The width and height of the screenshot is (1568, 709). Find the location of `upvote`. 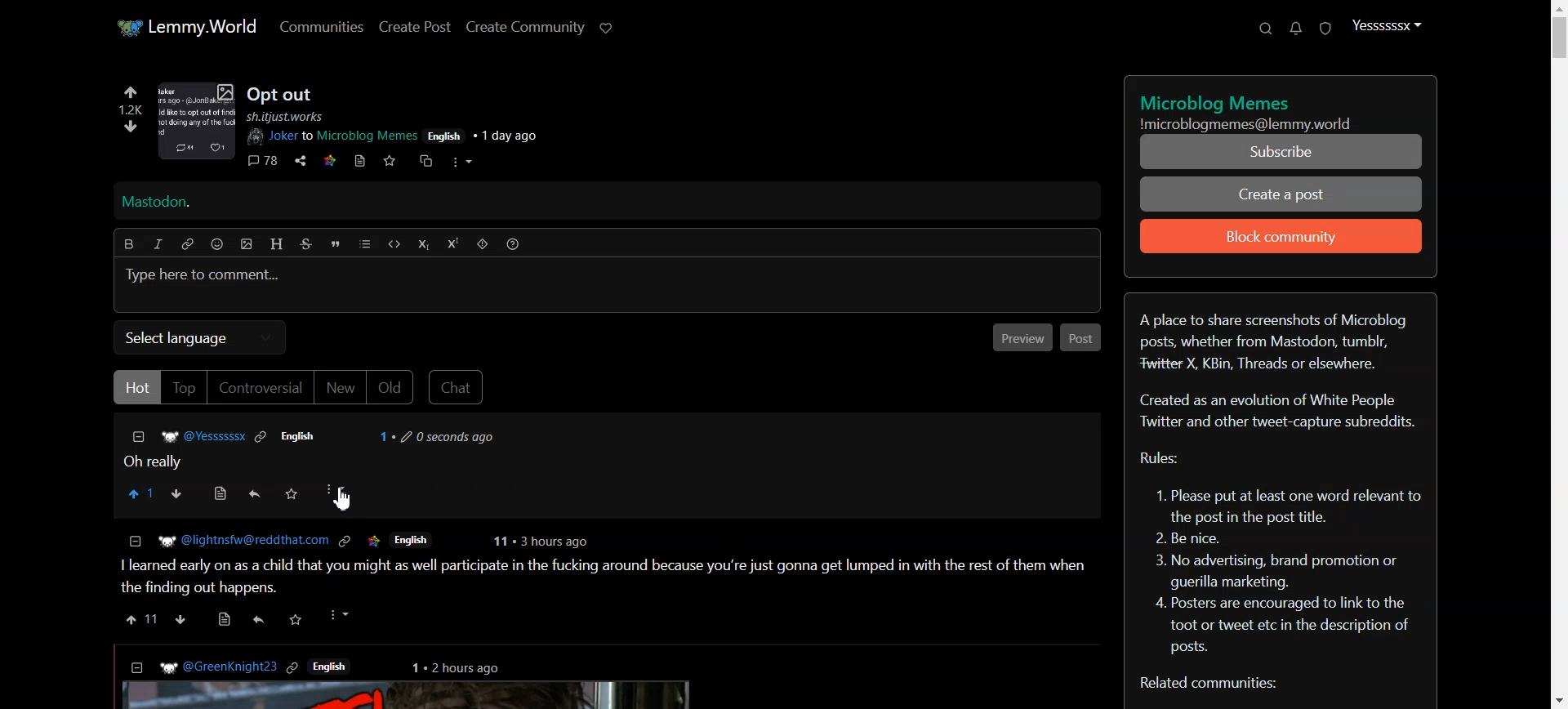

upvote is located at coordinates (141, 618).